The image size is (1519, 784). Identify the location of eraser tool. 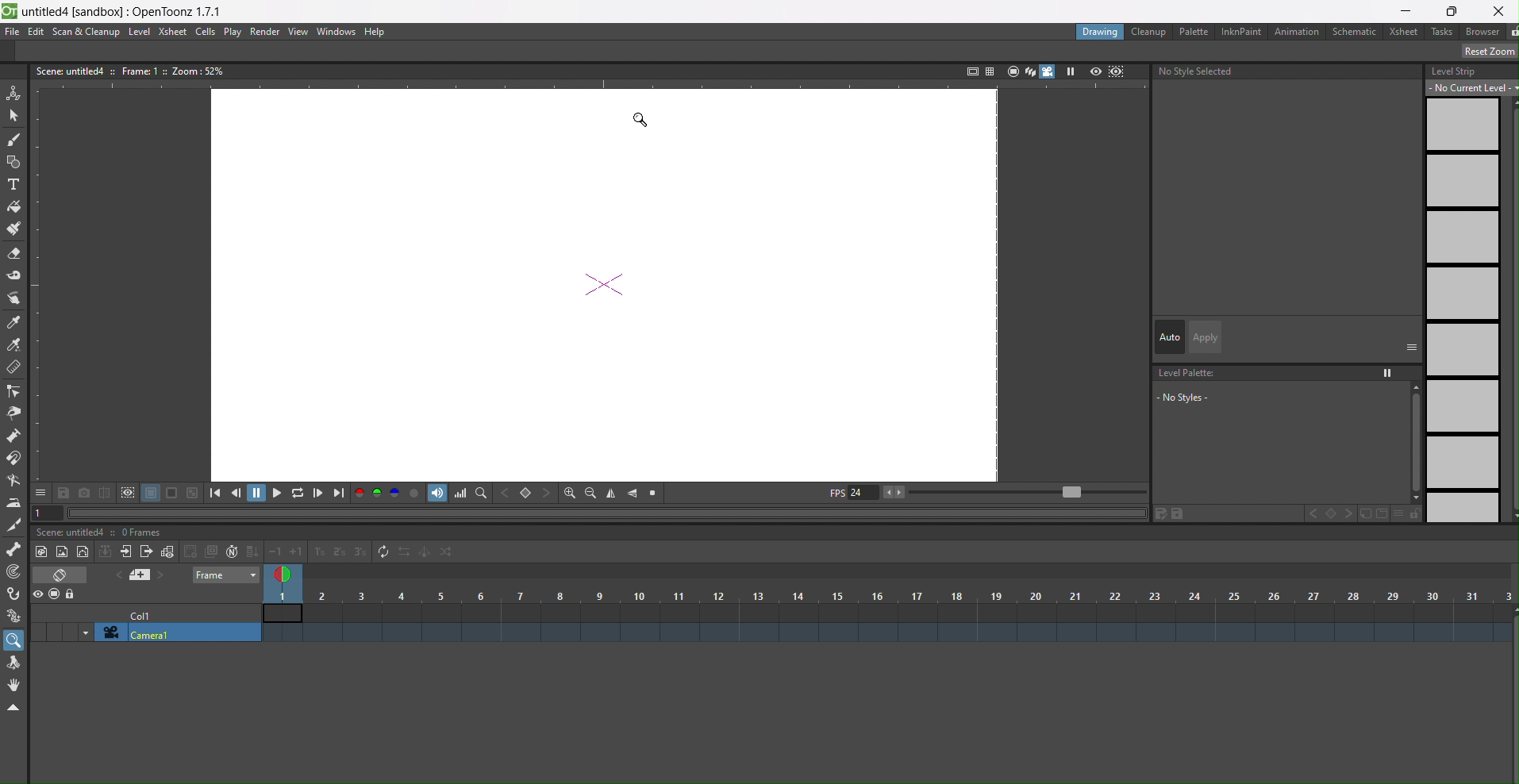
(13, 253).